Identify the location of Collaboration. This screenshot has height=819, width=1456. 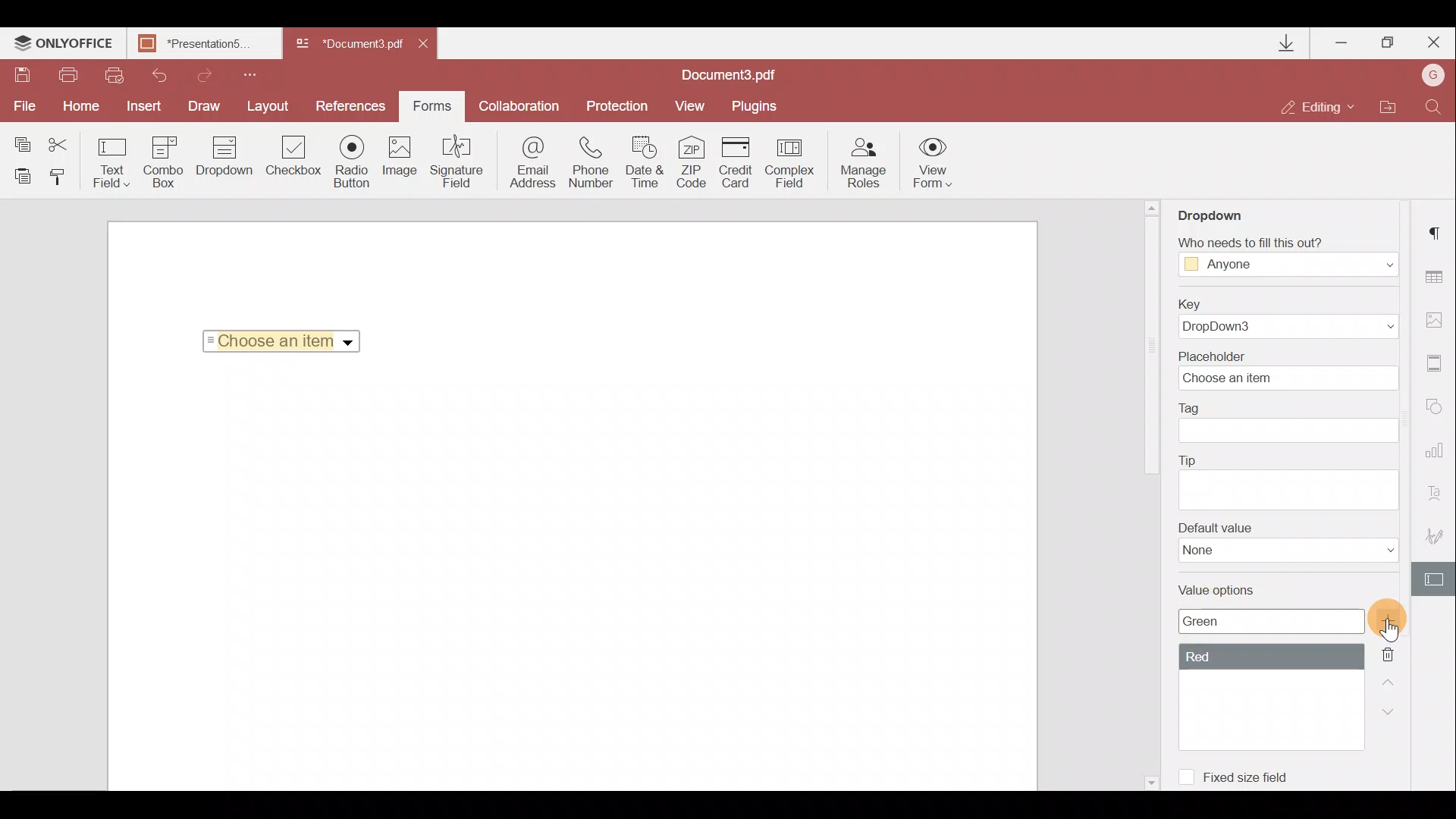
(519, 104).